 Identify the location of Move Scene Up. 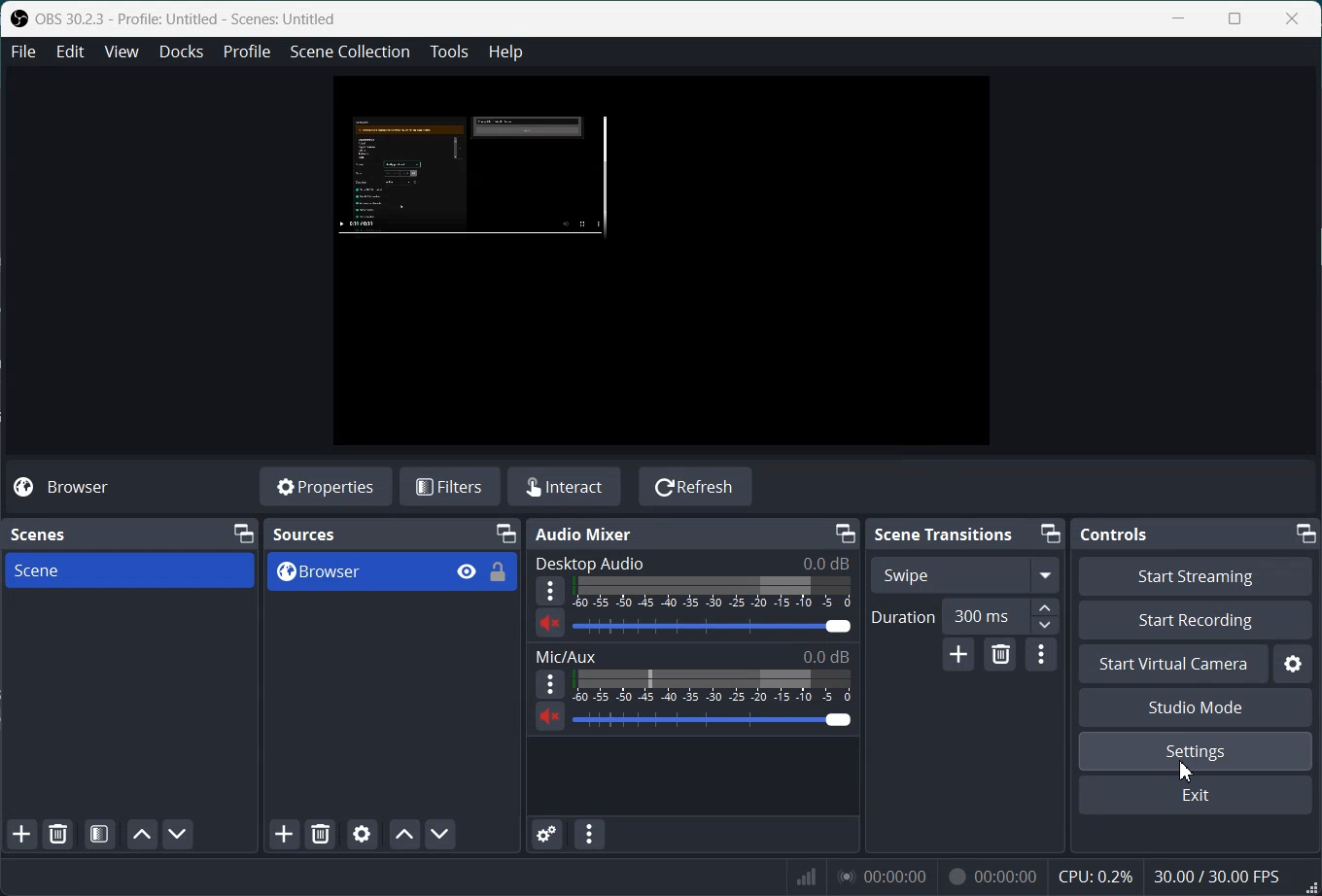
(140, 834).